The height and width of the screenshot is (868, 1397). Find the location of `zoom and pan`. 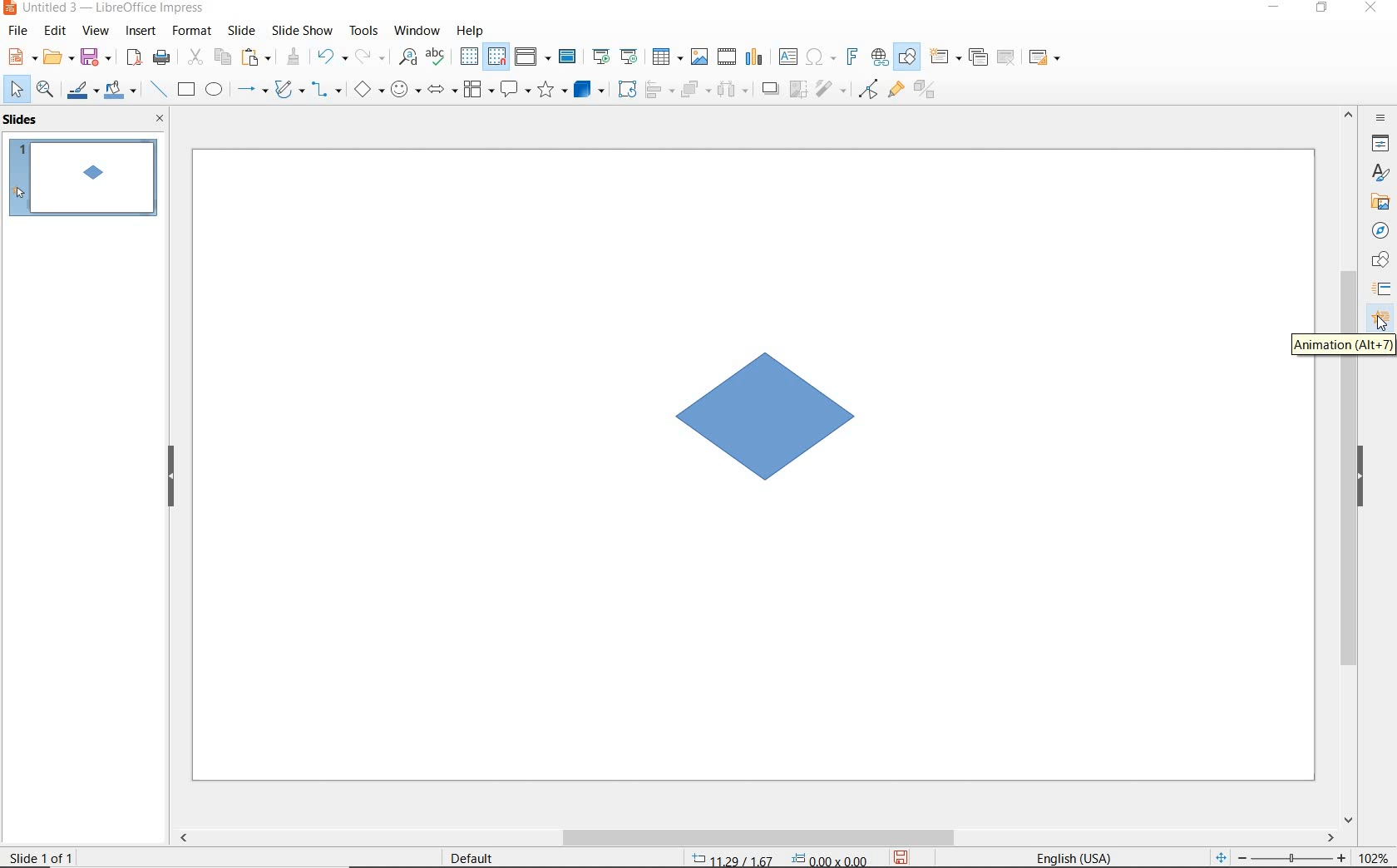

zoom and pan is located at coordinates (46, 91).